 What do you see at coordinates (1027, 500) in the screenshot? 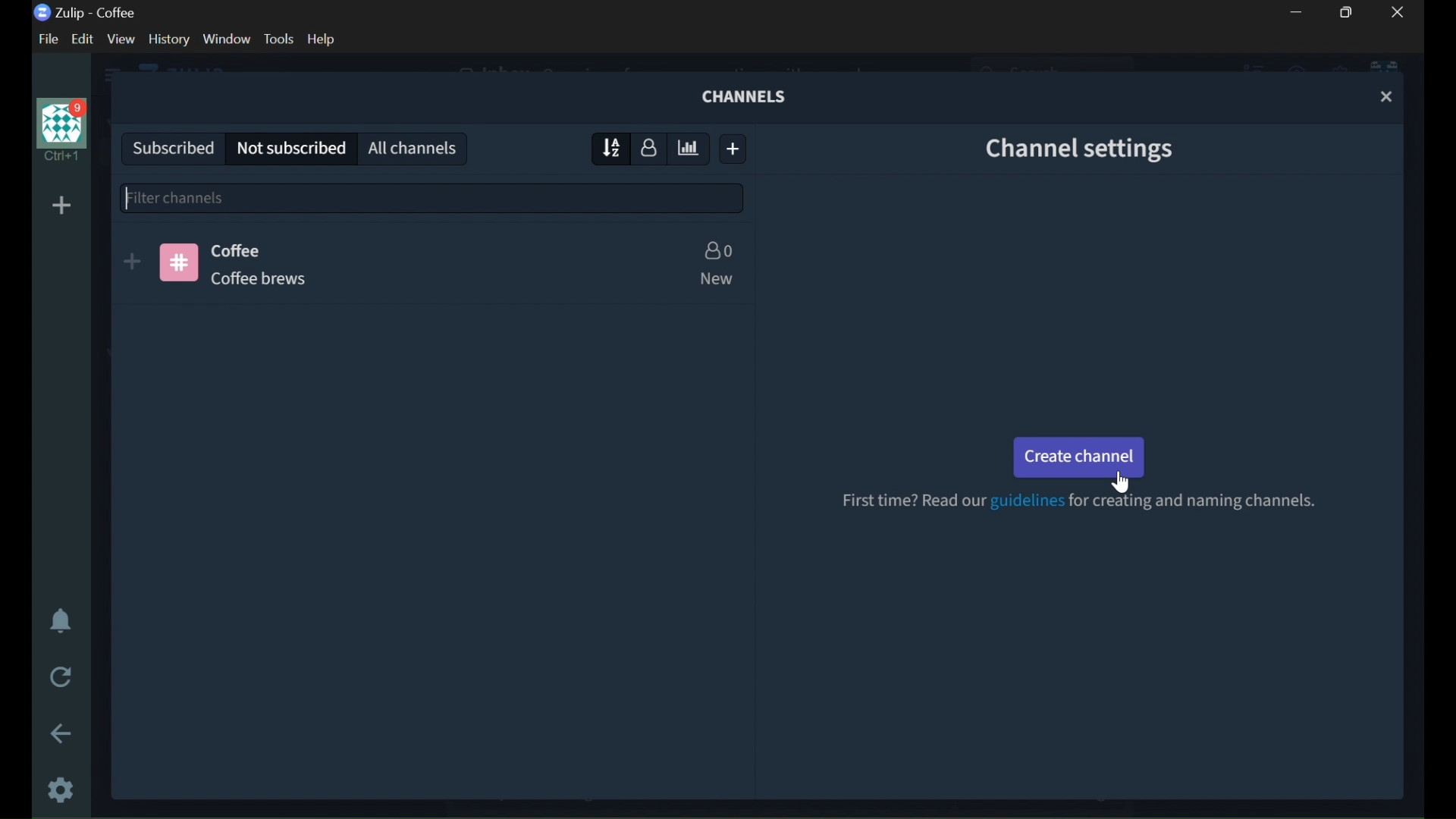
I see `guidelines` at bounding box center [1027, 500].